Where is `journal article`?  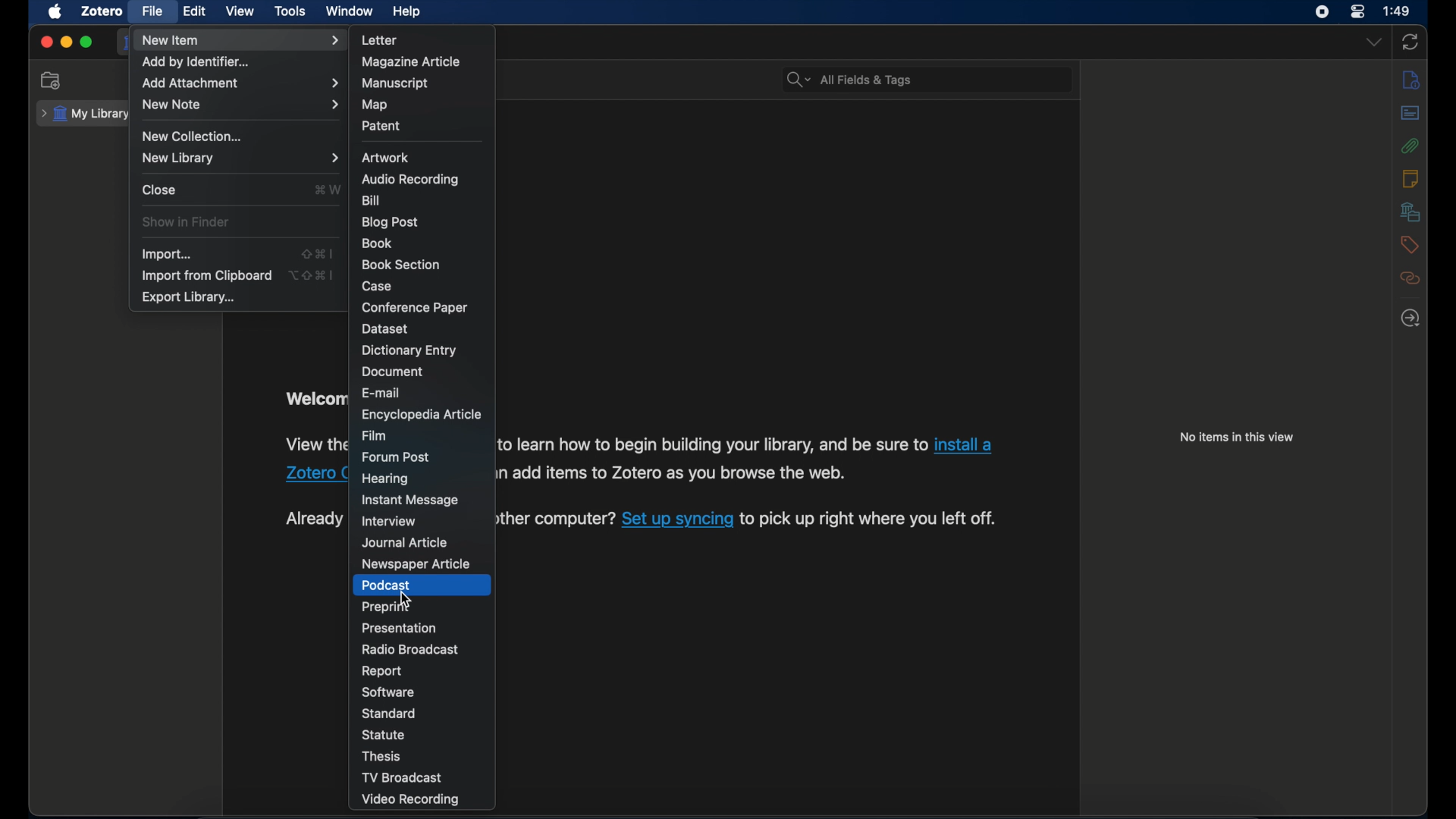
journal article is located at coordinates (406, 544).